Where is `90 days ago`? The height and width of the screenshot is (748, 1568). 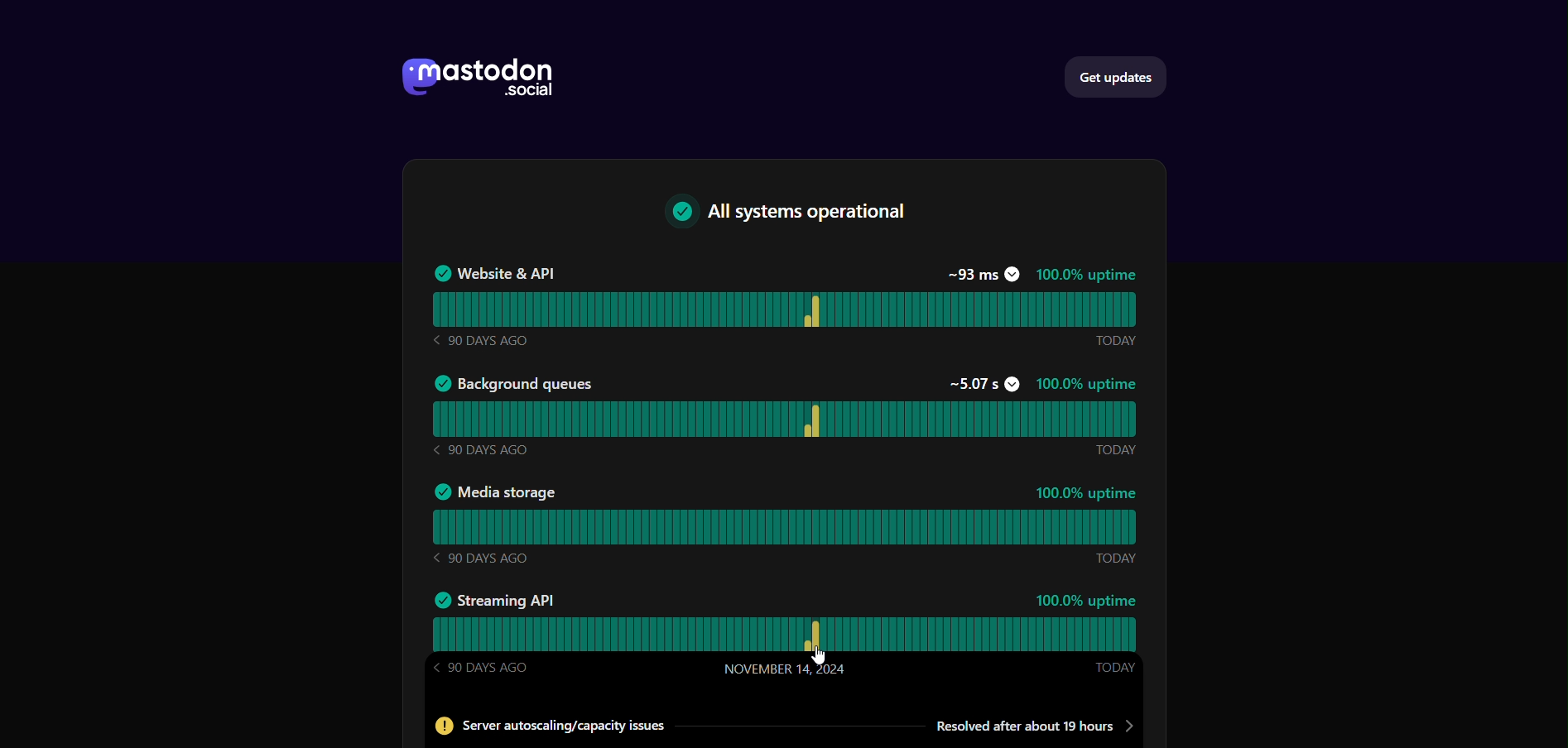
90 days ago is located at coordinates (483, 668).